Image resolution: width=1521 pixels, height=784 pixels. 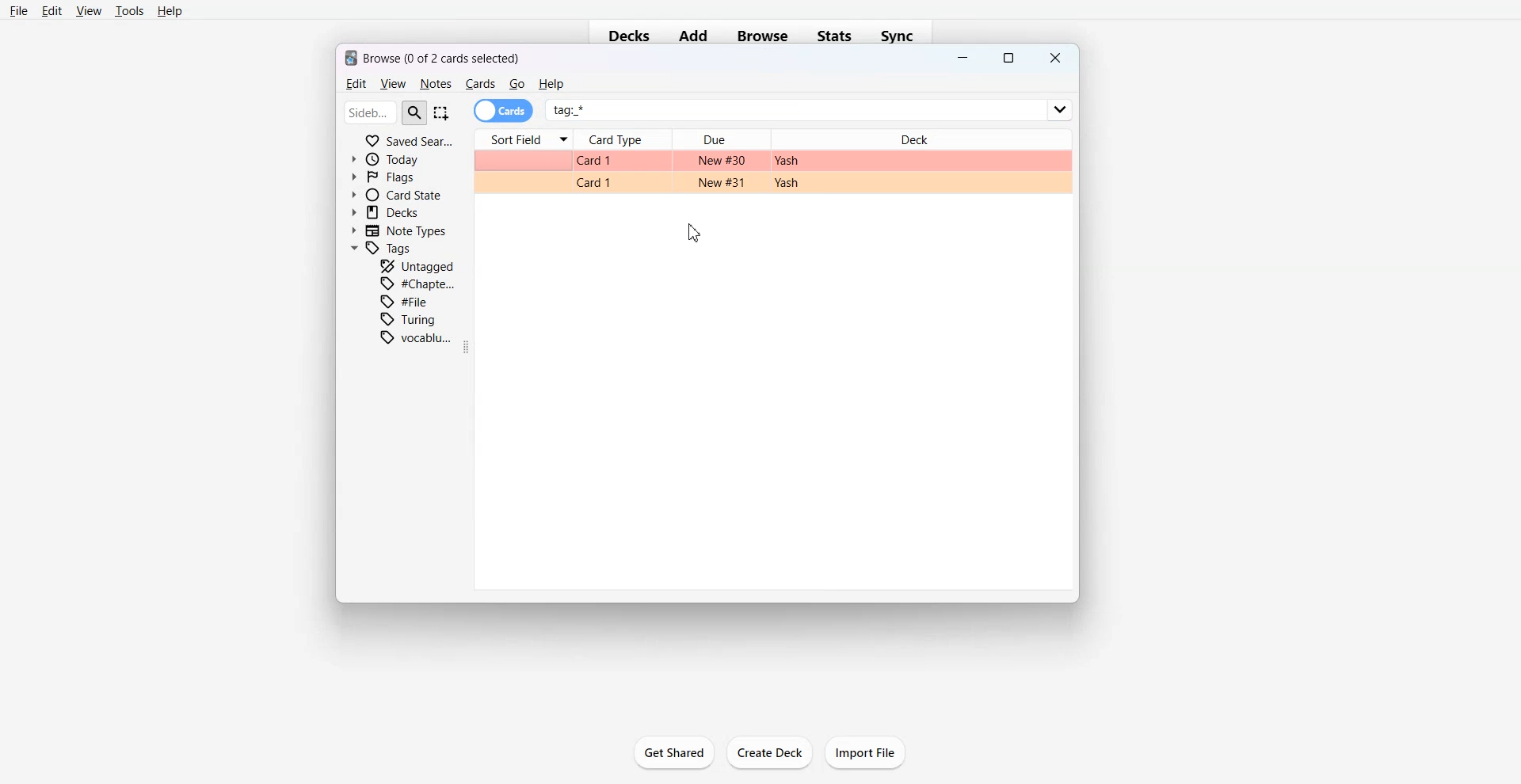 I want to click on Card State, so click(x=395, y=194).